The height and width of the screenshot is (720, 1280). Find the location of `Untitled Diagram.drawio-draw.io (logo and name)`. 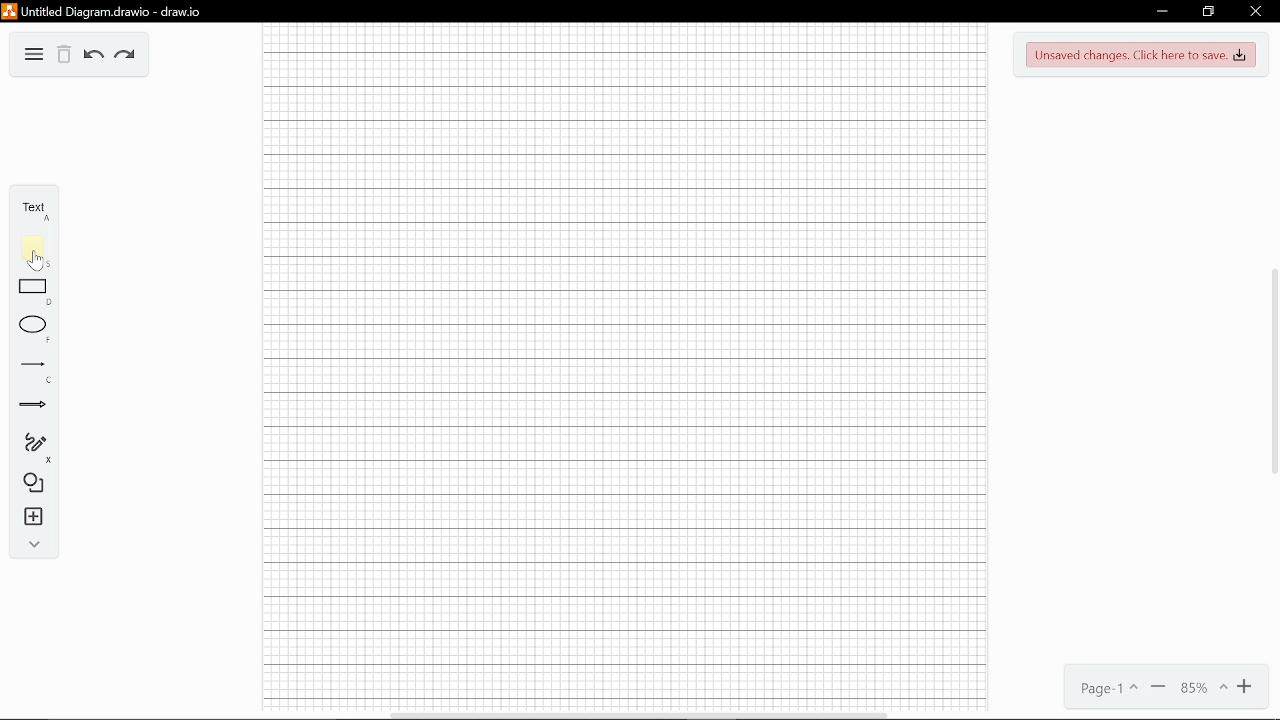

Untitled Diagram.drawio-draw.io (logo and name) is located at coordinates (121, 10).